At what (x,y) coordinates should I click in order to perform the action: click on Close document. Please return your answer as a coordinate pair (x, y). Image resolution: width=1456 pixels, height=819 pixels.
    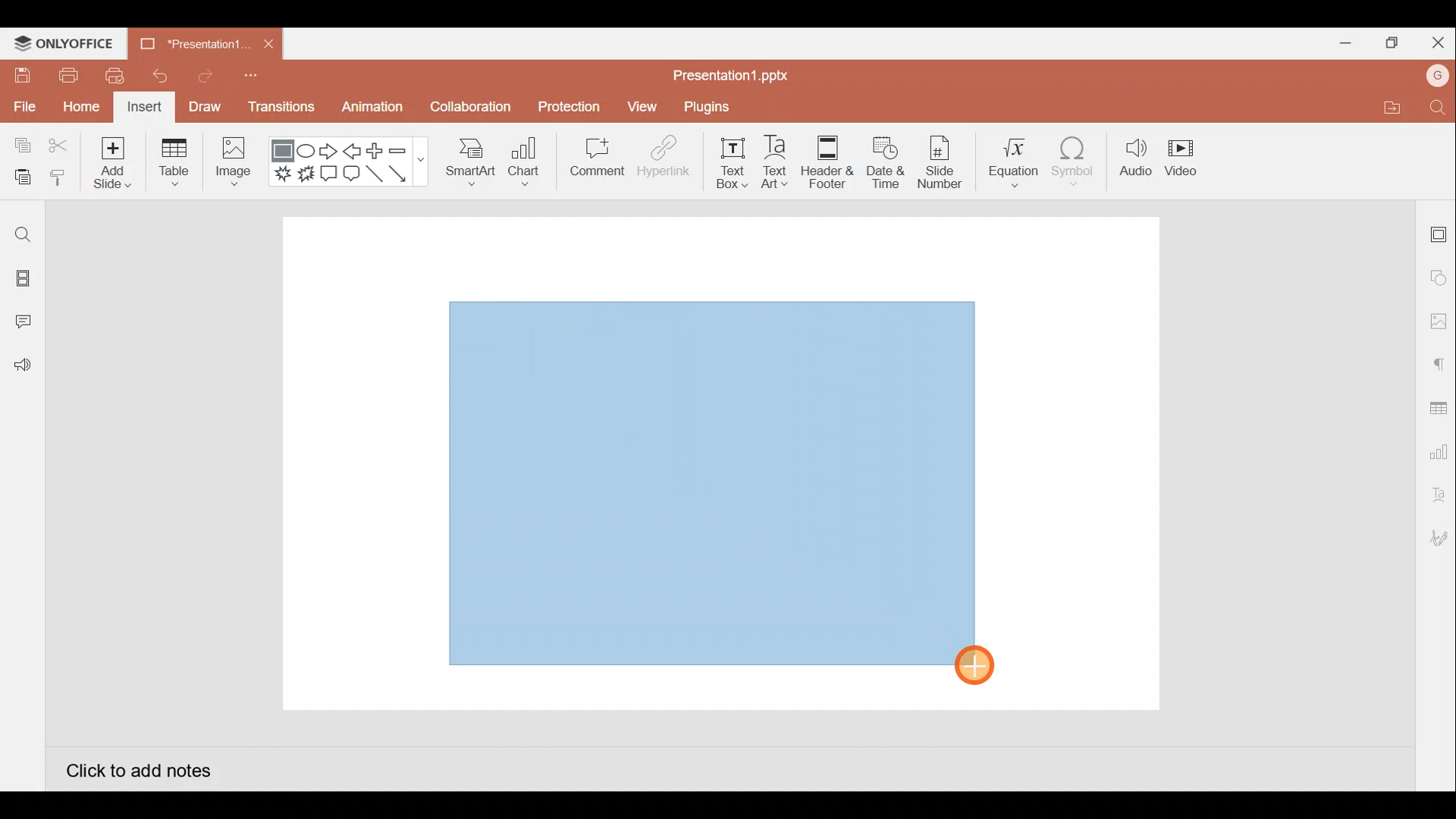
    Looking at the image, I should click on (268, 40).